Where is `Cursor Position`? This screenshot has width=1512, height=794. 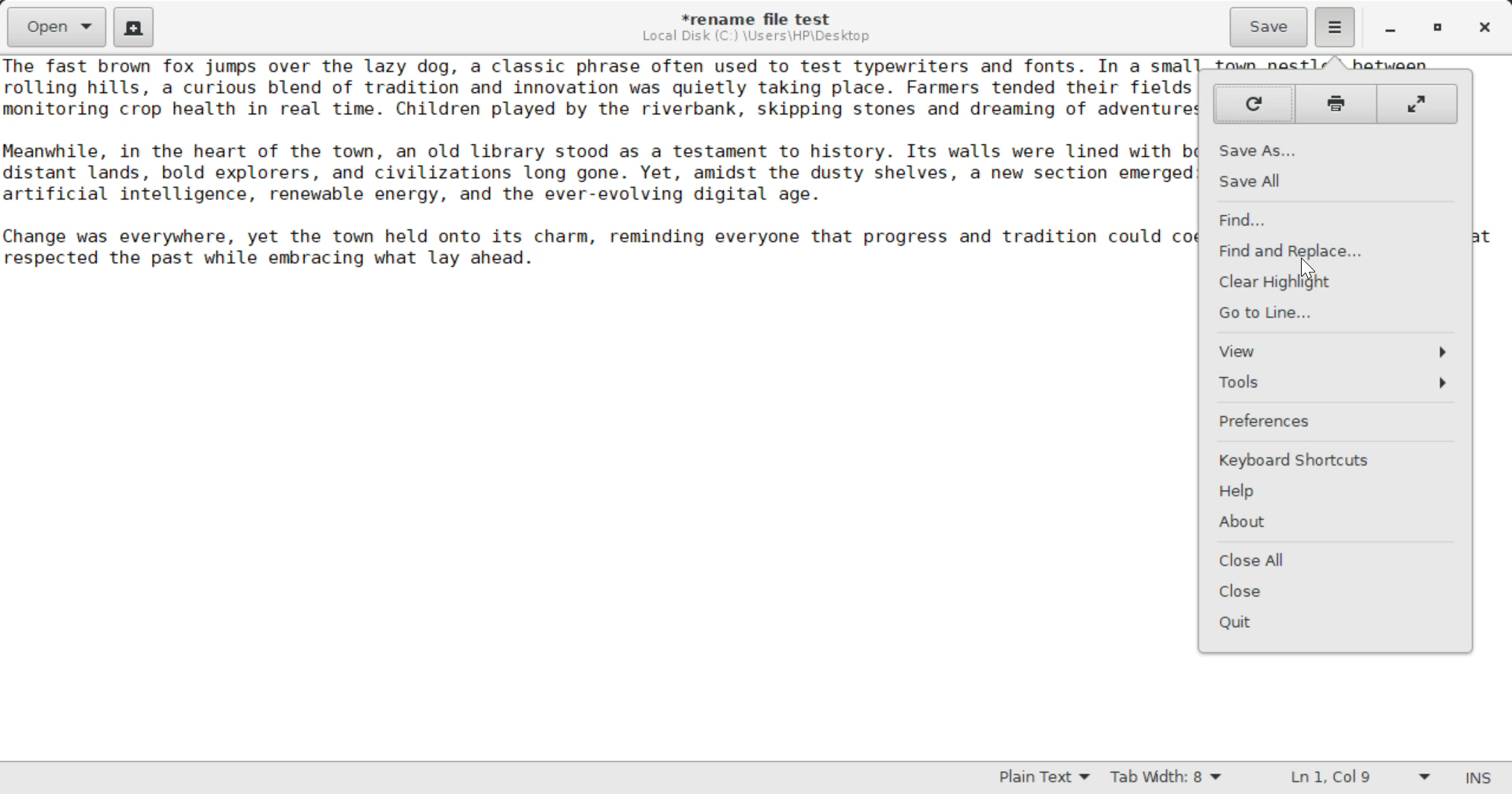
Cursor Position is located at coordinates (1304, 262).